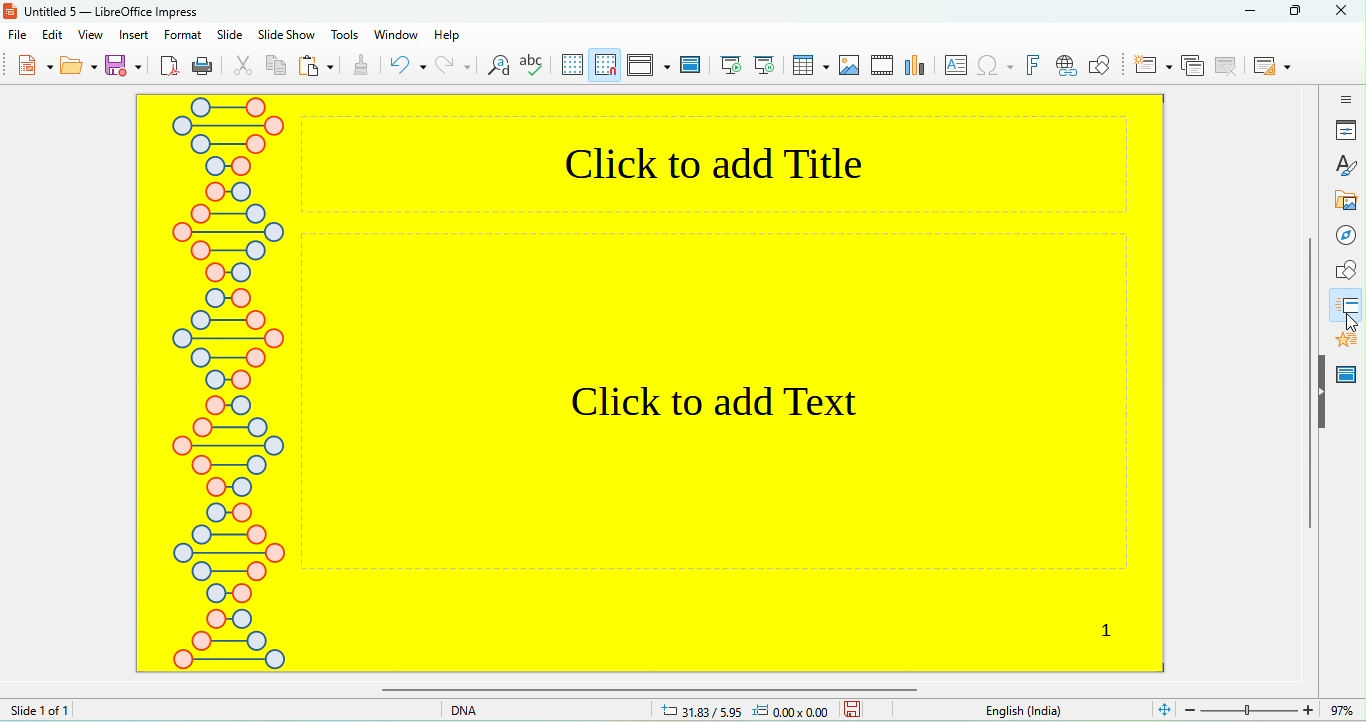 This screenshot has height=722, width=1366. I want to click on cursor movement, so click(1346, 326).